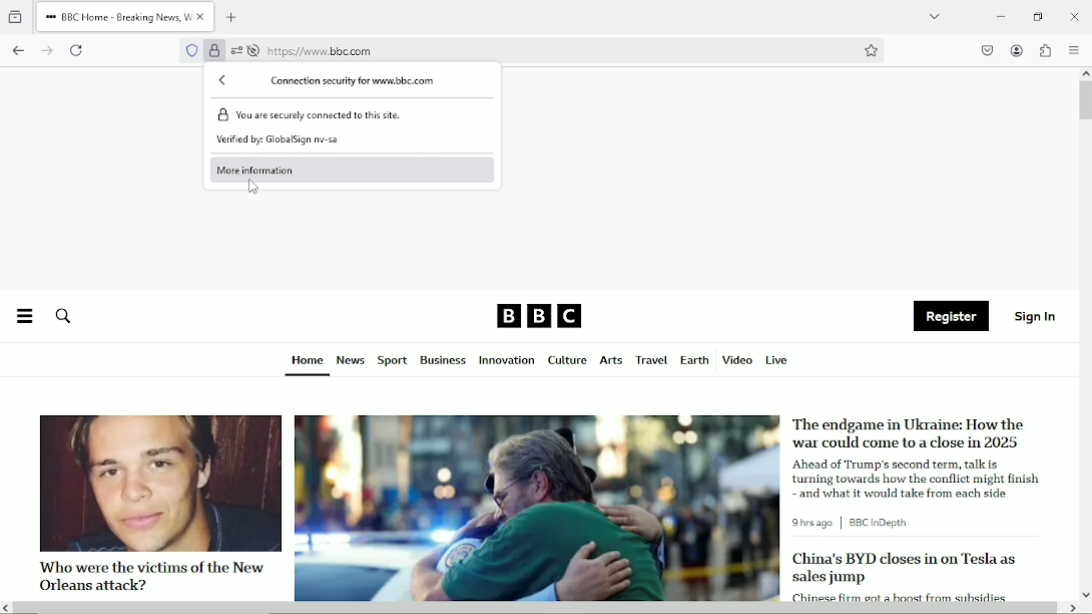 Image resolution: width=1092 pixels, height=614 pixels. Describe the element at coordinates (1073, 50) in the screenshot. I see `open application menu` at that location.